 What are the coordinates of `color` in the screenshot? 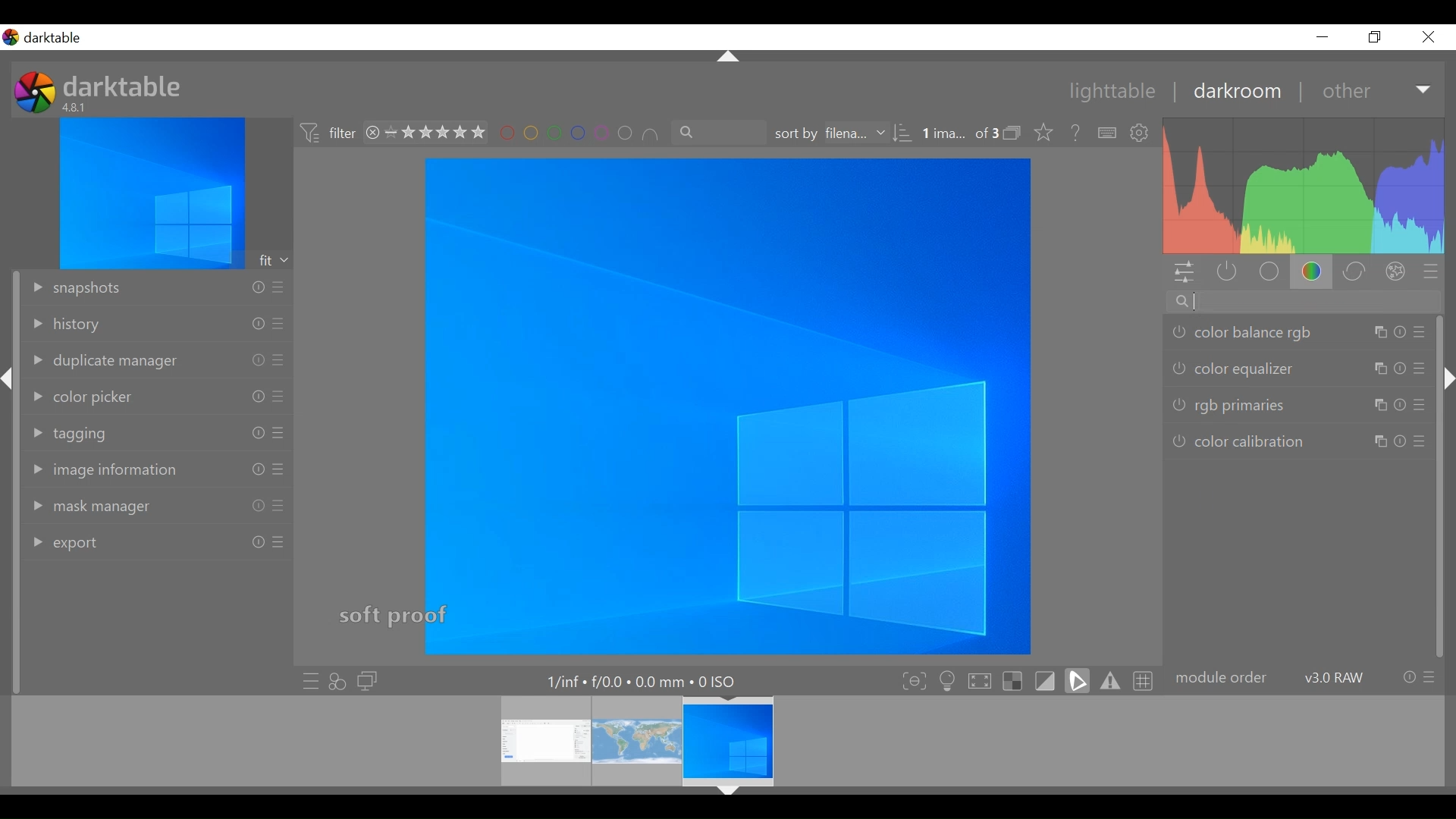 It's located at (1313, 271).